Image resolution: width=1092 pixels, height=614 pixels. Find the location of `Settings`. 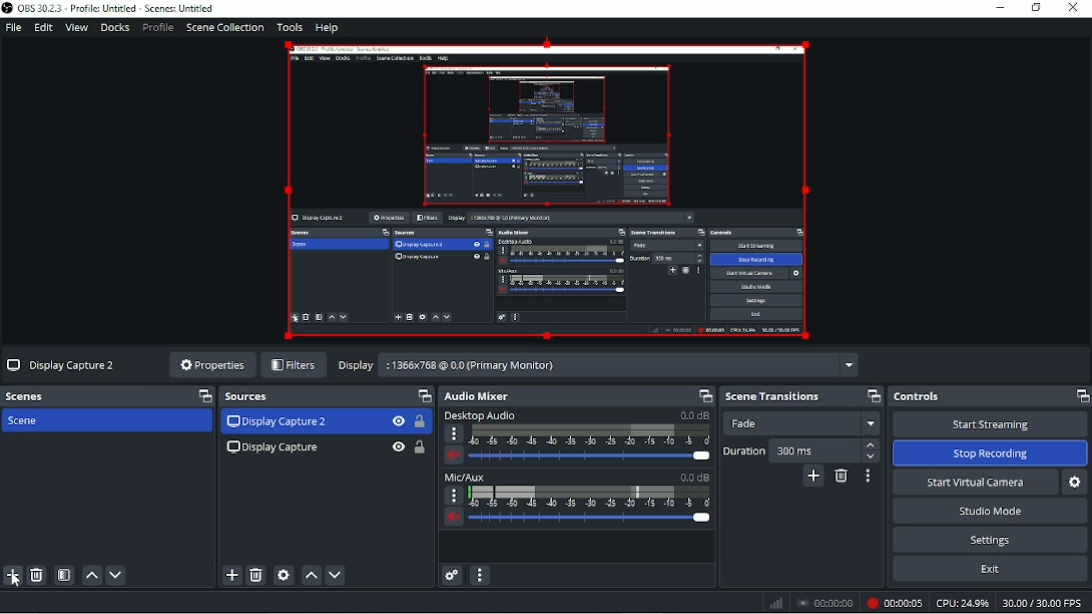

Settings is located at coordinates (994, 541).